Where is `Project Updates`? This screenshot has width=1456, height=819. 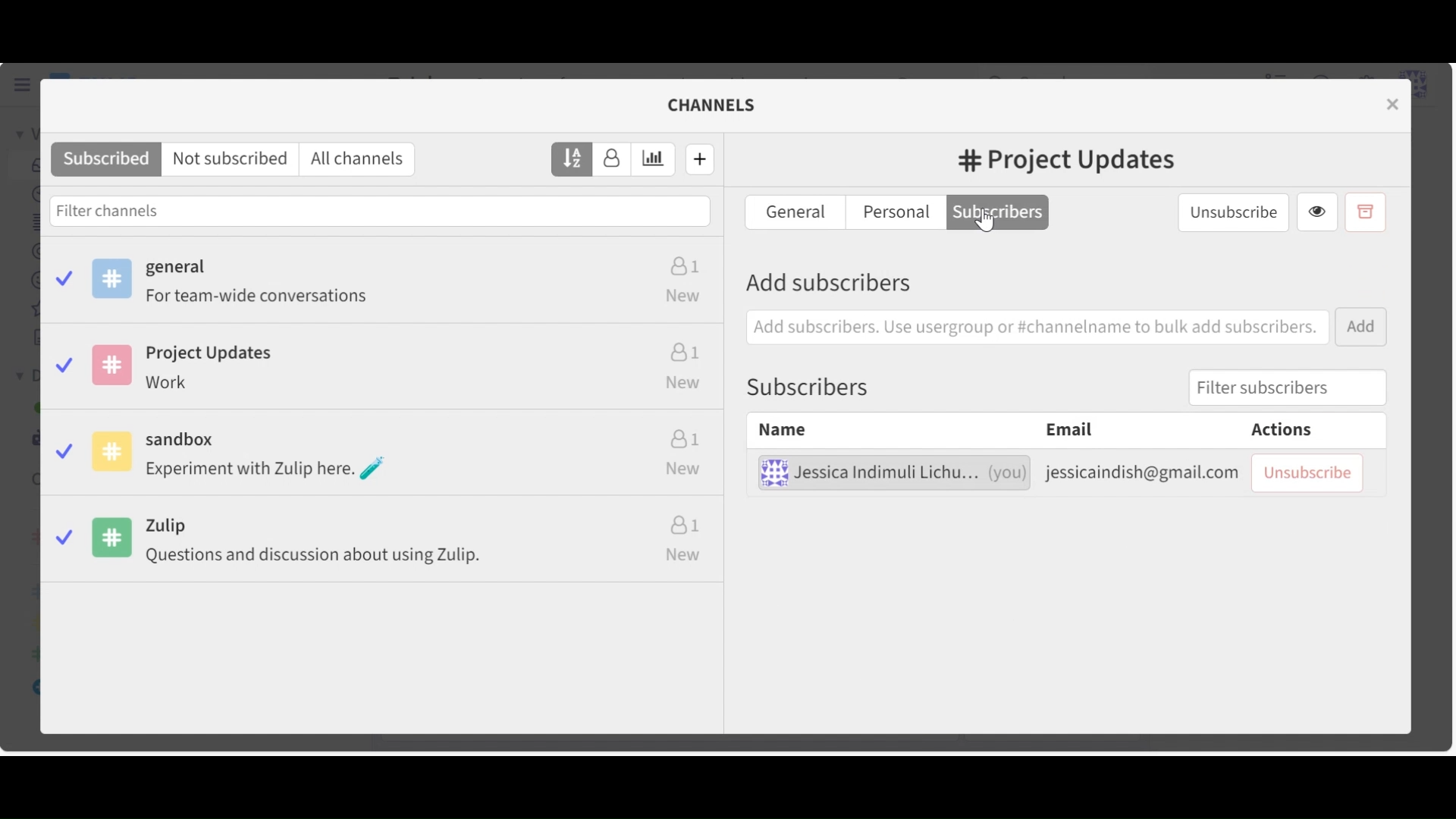
Project Updates is located at coordinates (382, 358).